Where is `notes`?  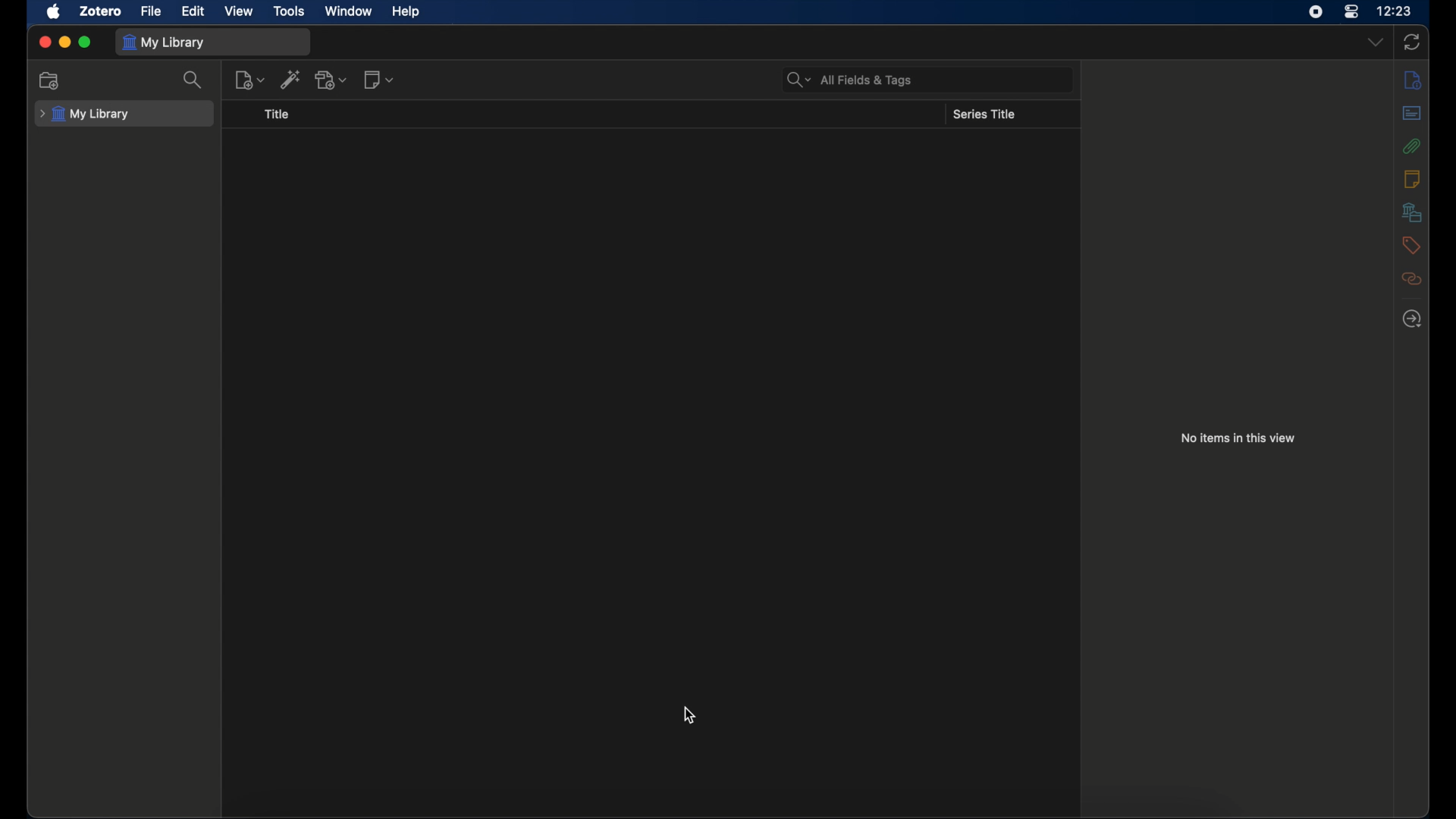 notes is located at coordinates (1412, 179).